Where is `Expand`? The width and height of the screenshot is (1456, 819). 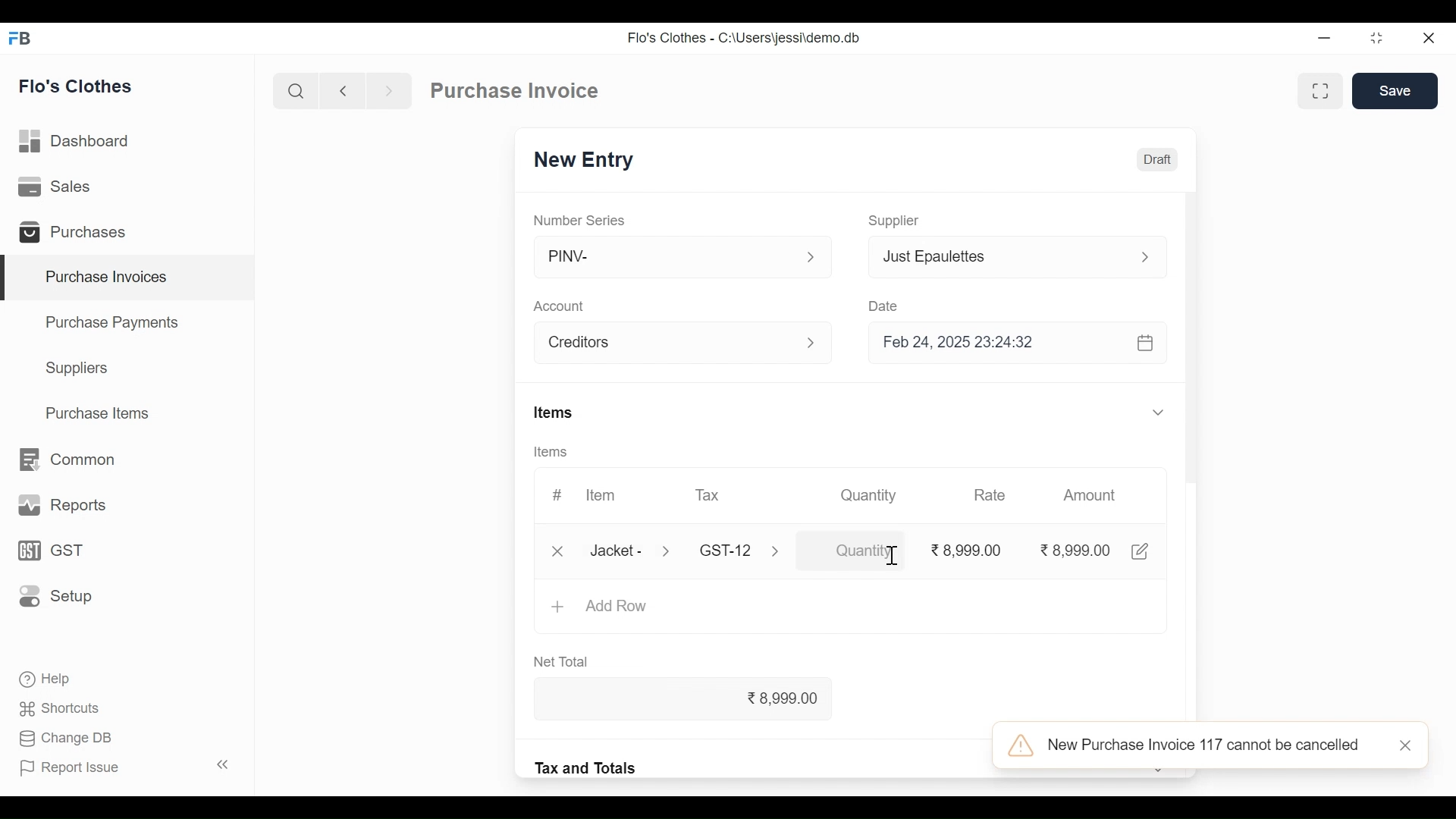 Expand is located at coordinates (670, 551).